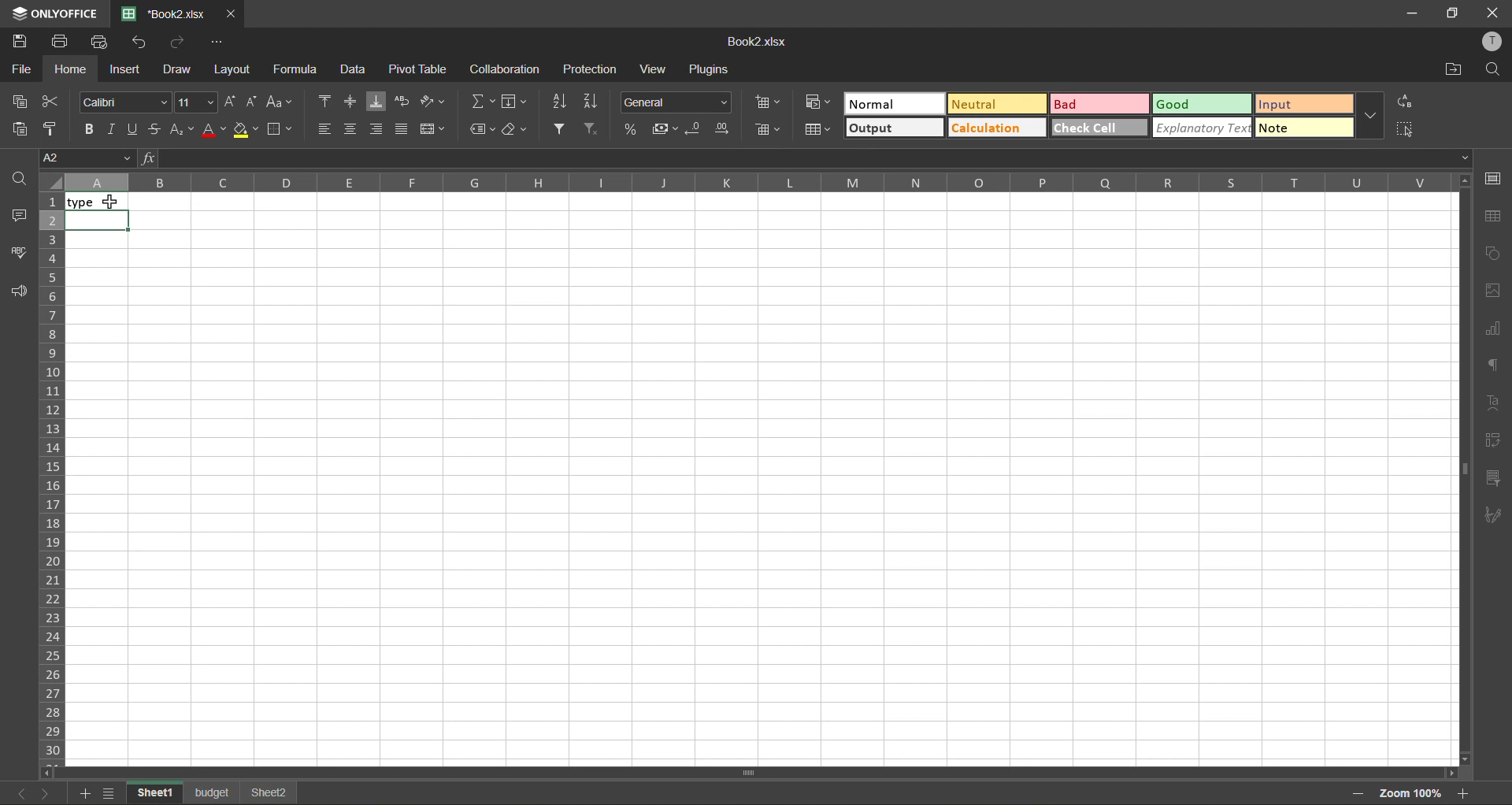  Describe the element at coordinates (180, 43) in the screenshot. I see `redo` at that location.